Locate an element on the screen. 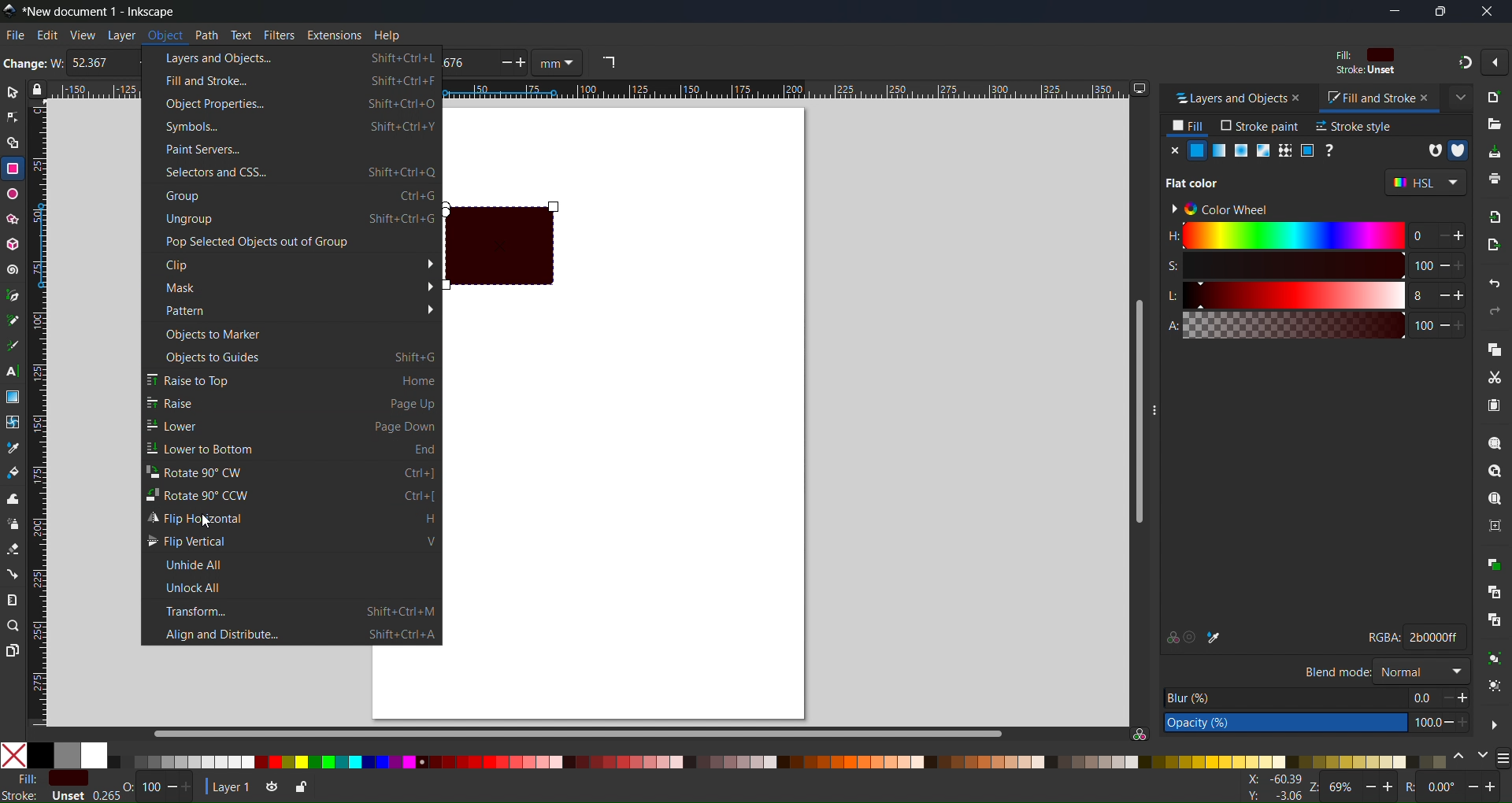 The height and width of the screenshot is (803, 1512).  100 is located at coordinates (1421, 326).